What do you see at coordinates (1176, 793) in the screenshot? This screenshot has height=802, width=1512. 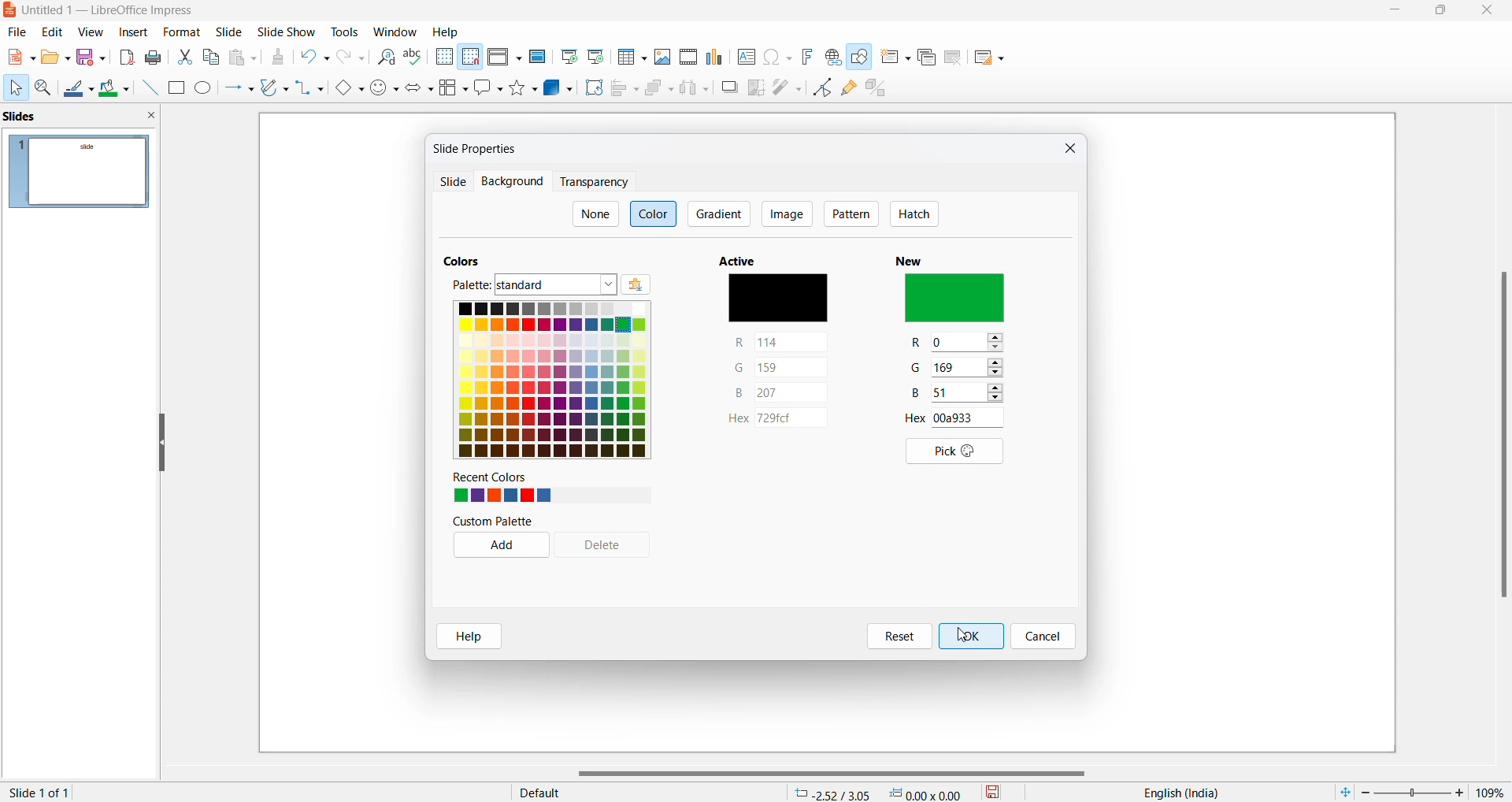 I see `text language` at bounding box center [1176, 793].